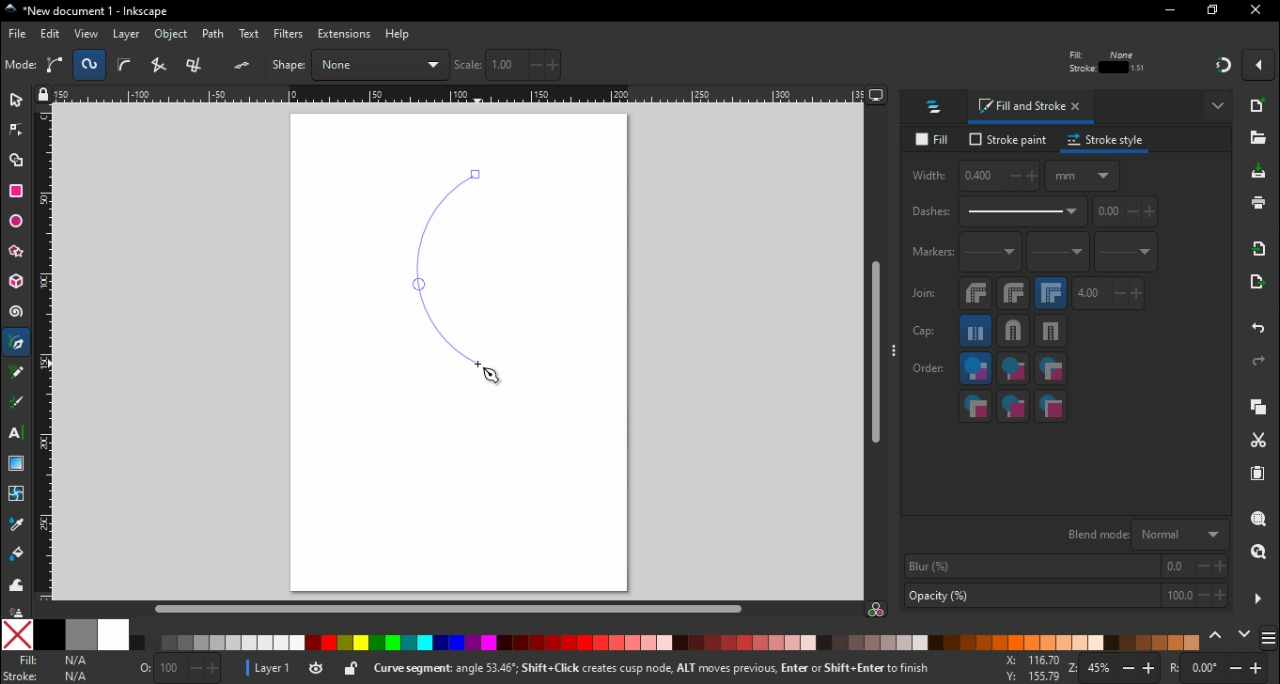  I want to click on rotation increase/decrease, so click(1222, 669).